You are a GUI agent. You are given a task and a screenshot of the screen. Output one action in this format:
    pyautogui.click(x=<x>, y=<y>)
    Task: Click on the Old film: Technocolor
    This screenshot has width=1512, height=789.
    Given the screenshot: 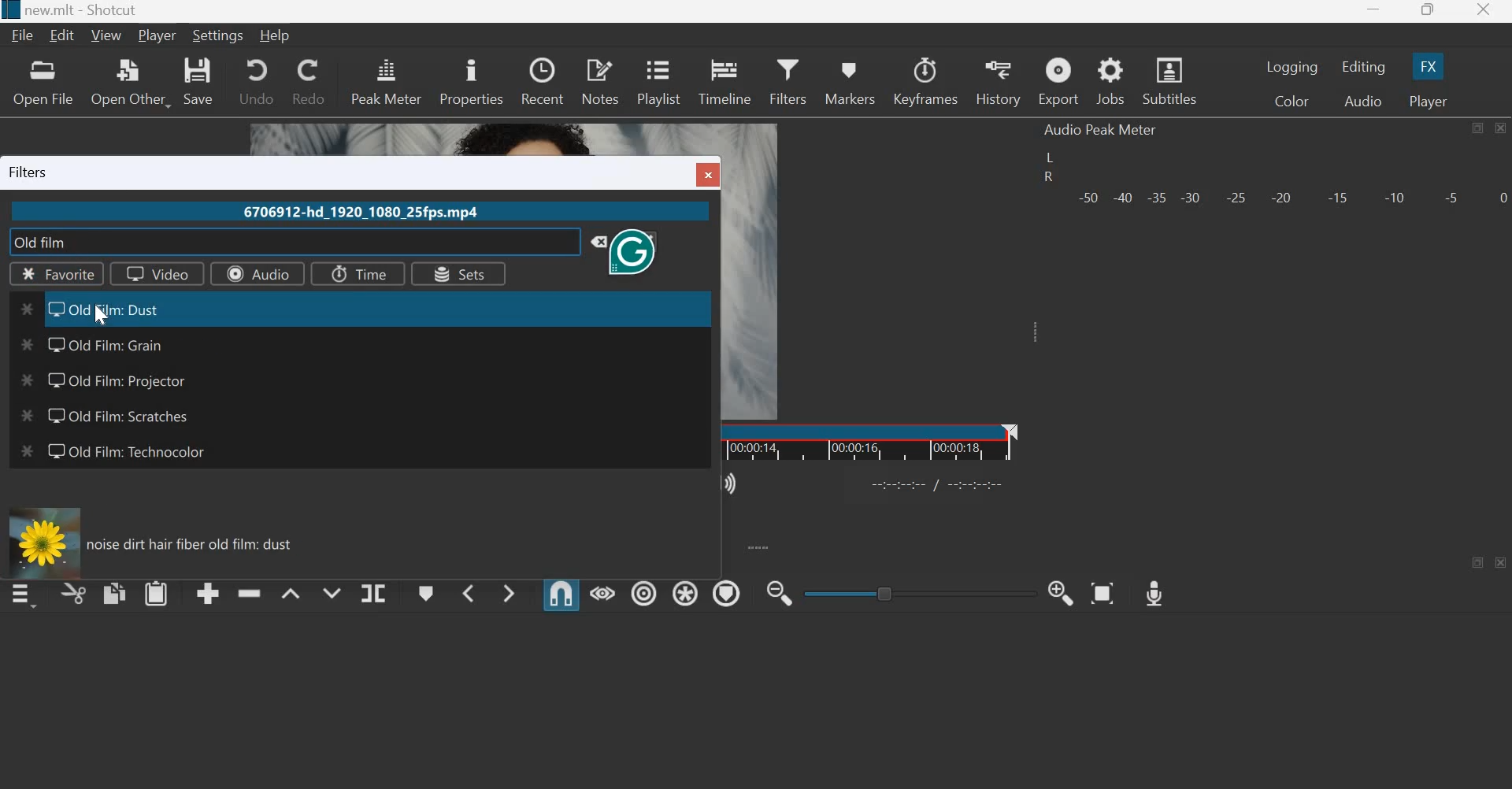 What is the action you would take?
    pyautogui.click(x=141, y=452)
    